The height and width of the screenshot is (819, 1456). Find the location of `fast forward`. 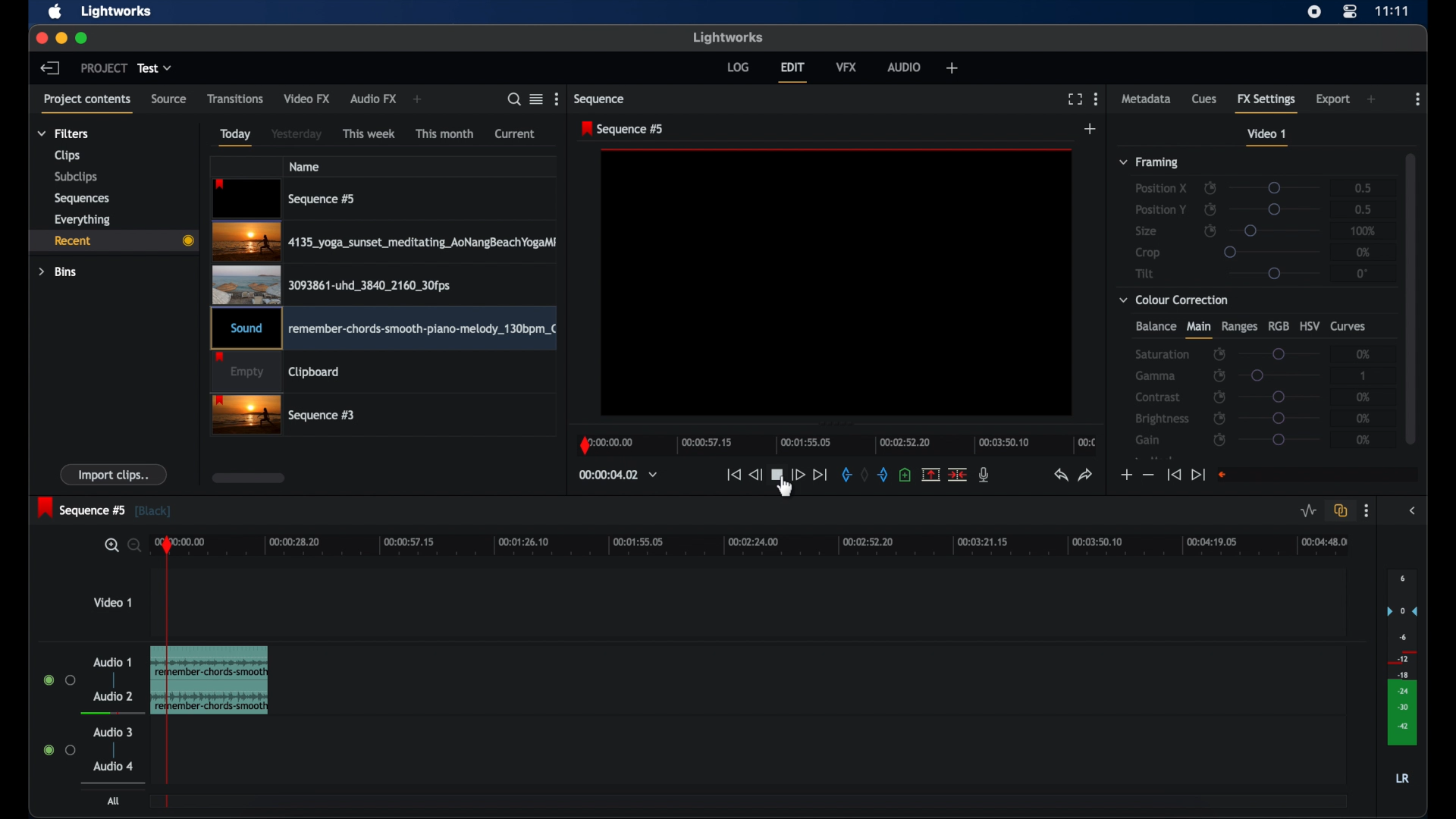

fast forward is located at coordinates (798, 475).